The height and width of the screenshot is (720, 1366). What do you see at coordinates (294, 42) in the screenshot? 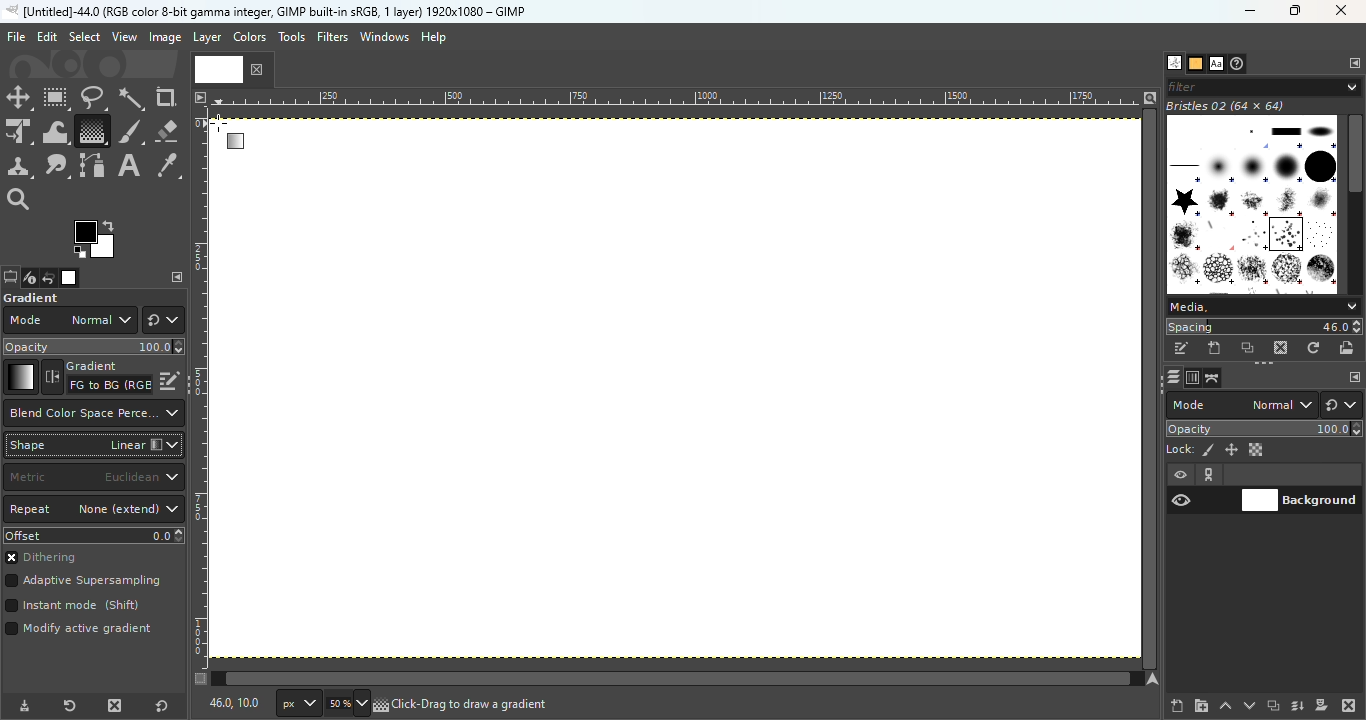
I see `Tools` at bounding box center [294, 42].